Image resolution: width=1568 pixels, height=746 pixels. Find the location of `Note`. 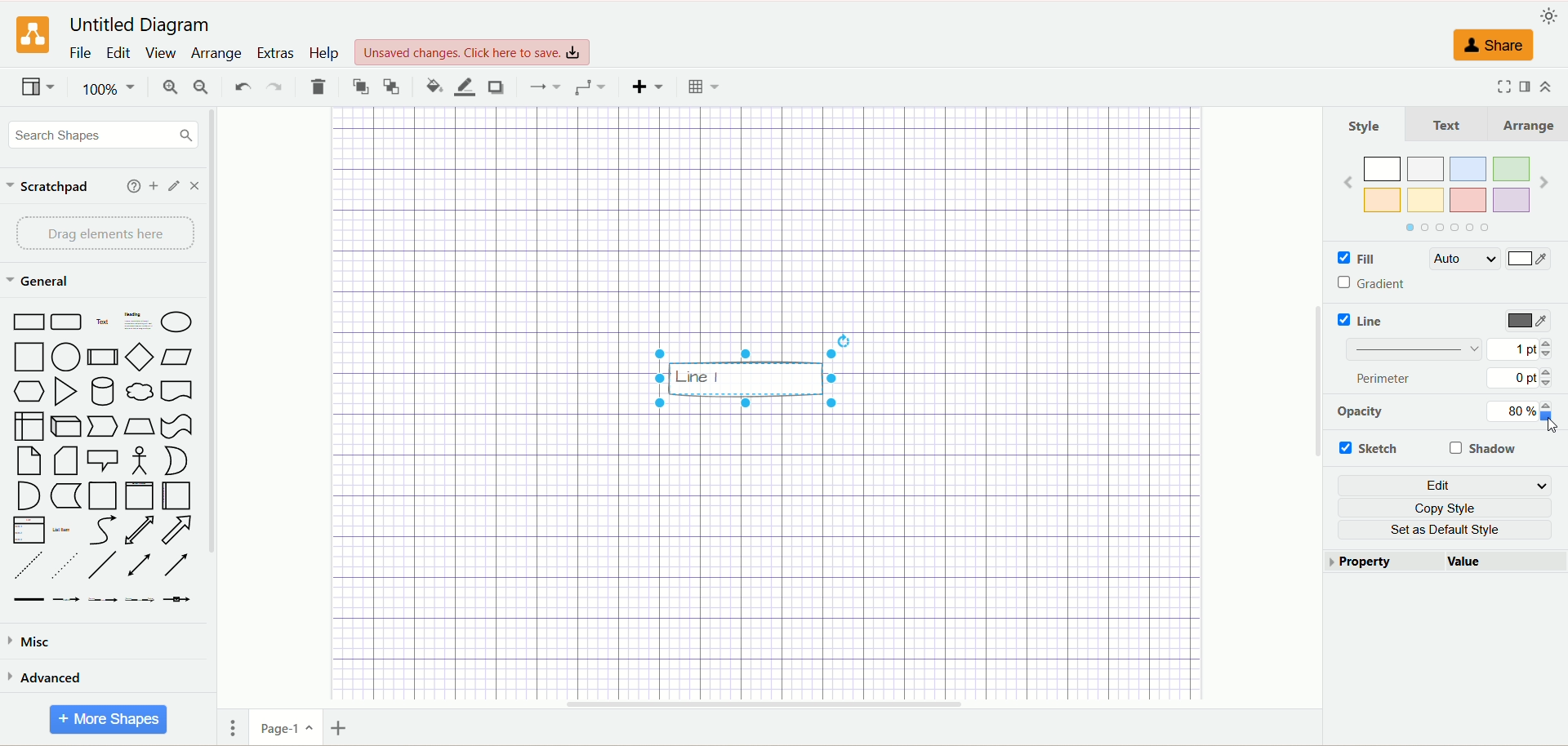

Note is located at coordinates (26, 461).